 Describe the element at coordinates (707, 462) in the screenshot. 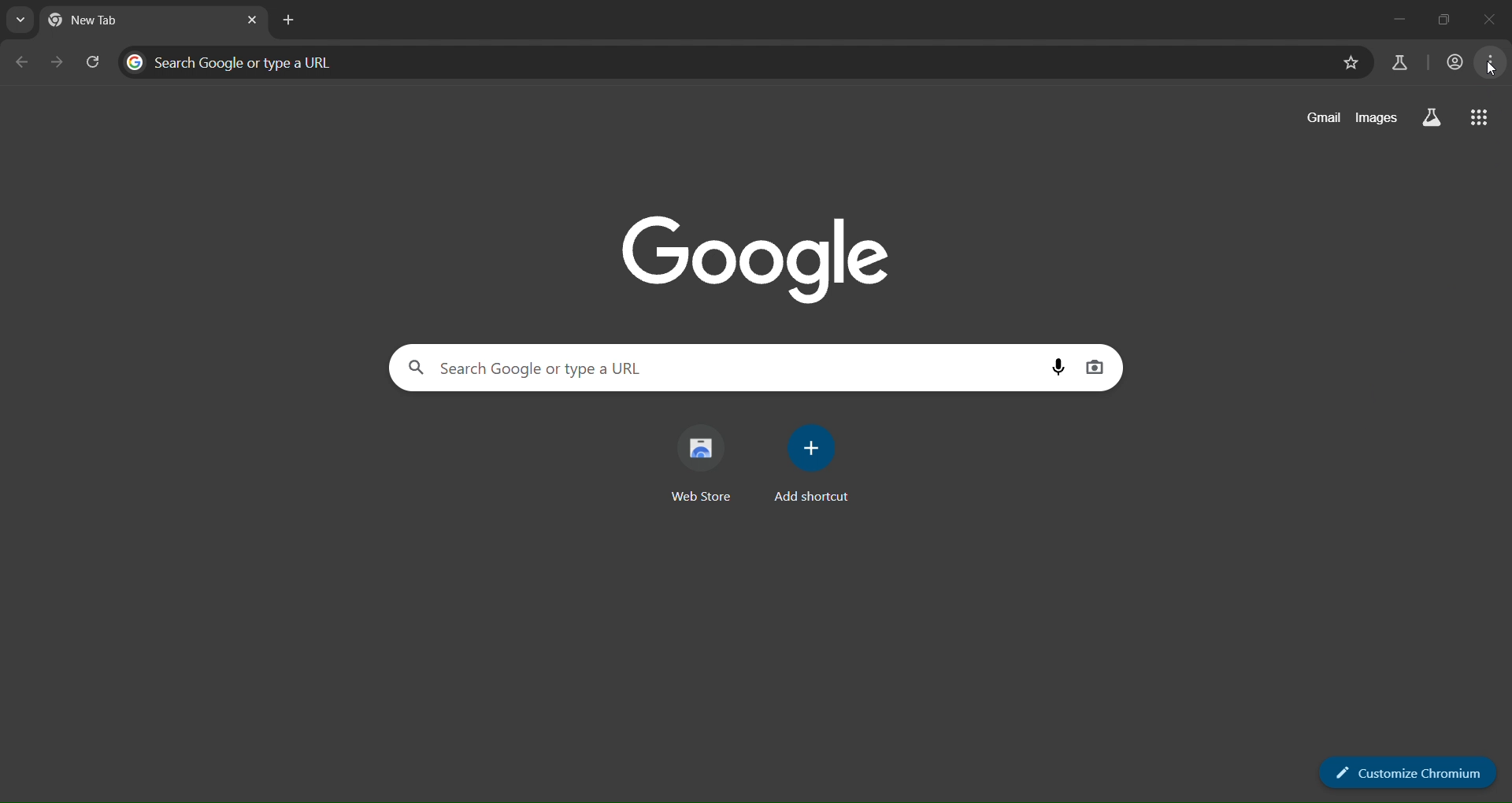

I see `web store` at that location.